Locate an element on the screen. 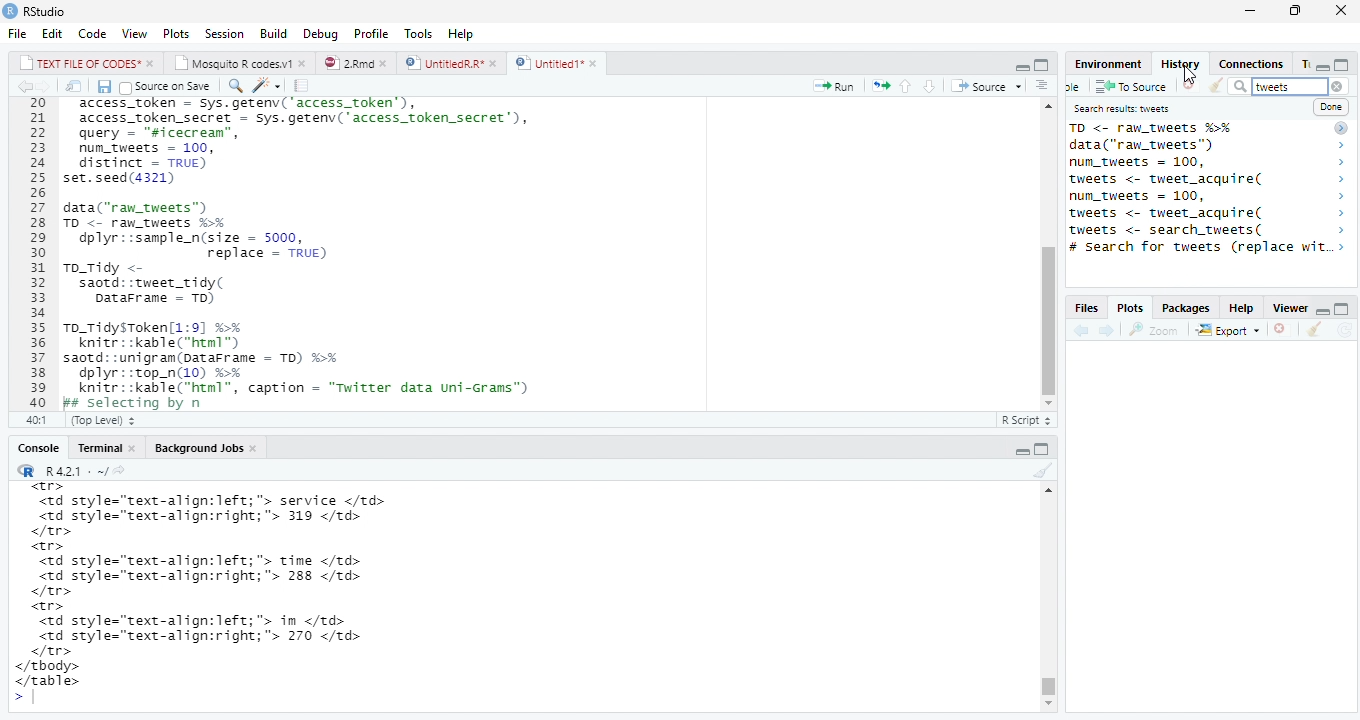  History is located at coordinates (1179, 62).